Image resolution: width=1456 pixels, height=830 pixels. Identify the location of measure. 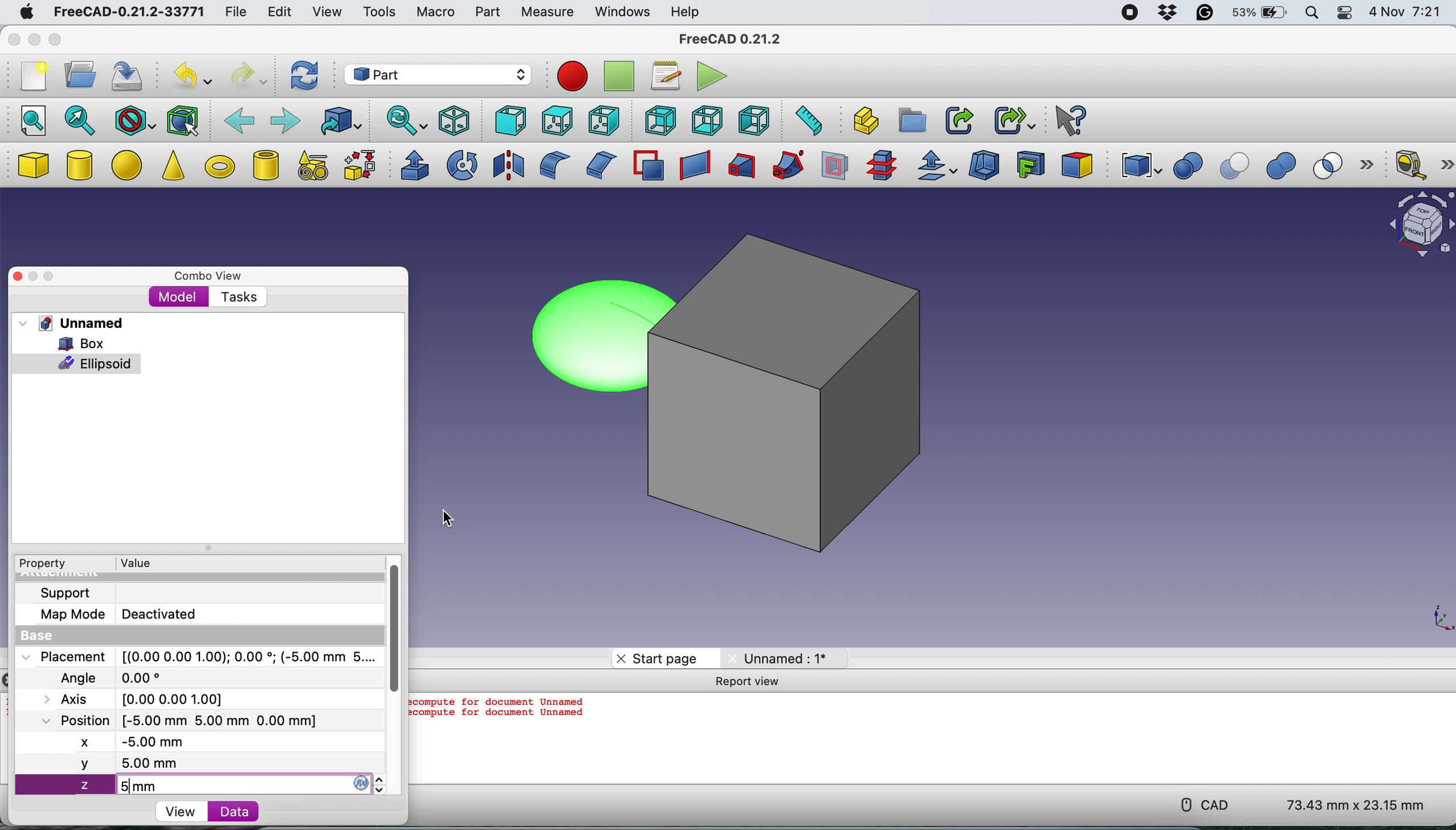
(546, 13).